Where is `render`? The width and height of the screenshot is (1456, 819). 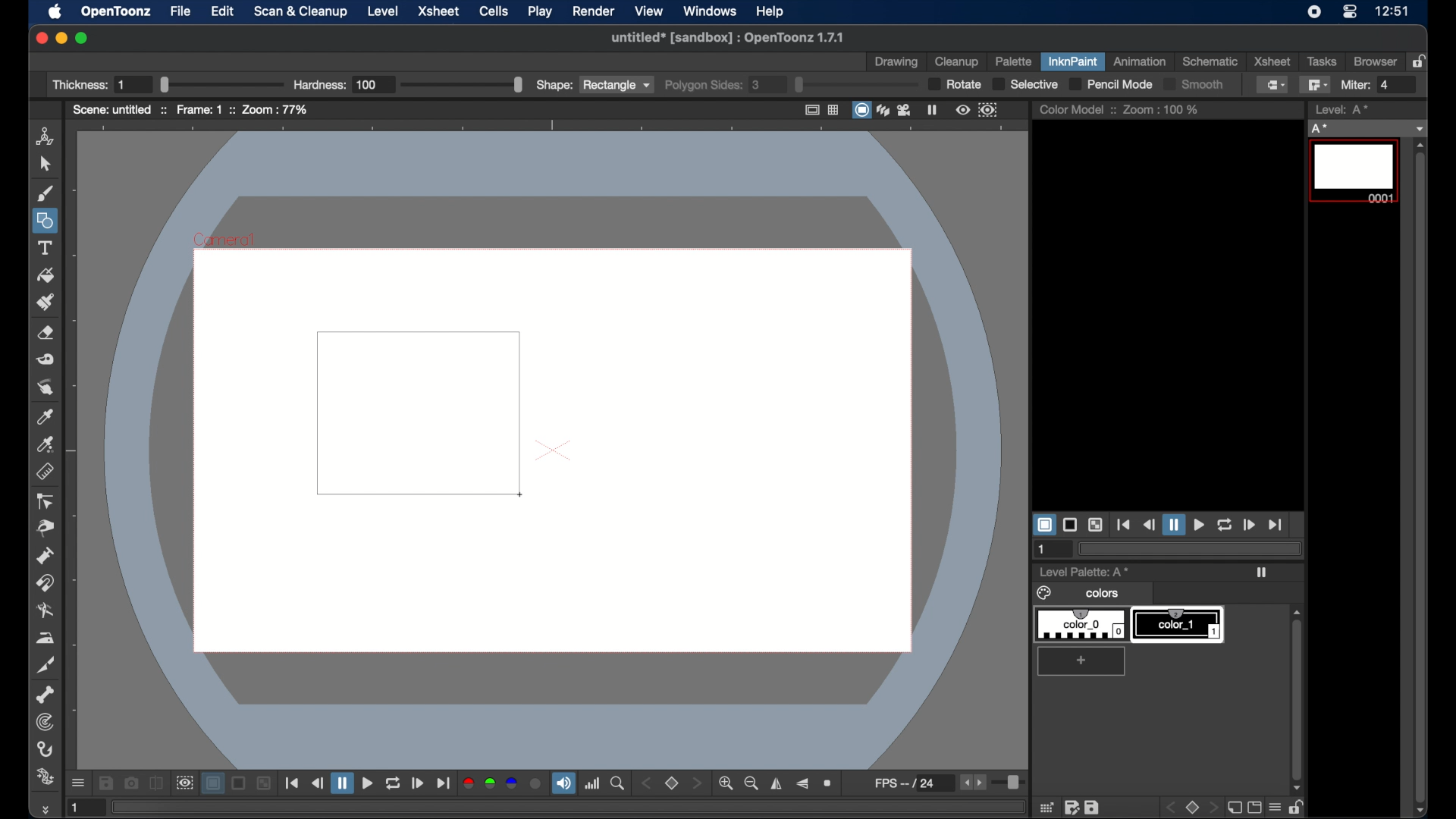
render is located at coordinates (593, 11).